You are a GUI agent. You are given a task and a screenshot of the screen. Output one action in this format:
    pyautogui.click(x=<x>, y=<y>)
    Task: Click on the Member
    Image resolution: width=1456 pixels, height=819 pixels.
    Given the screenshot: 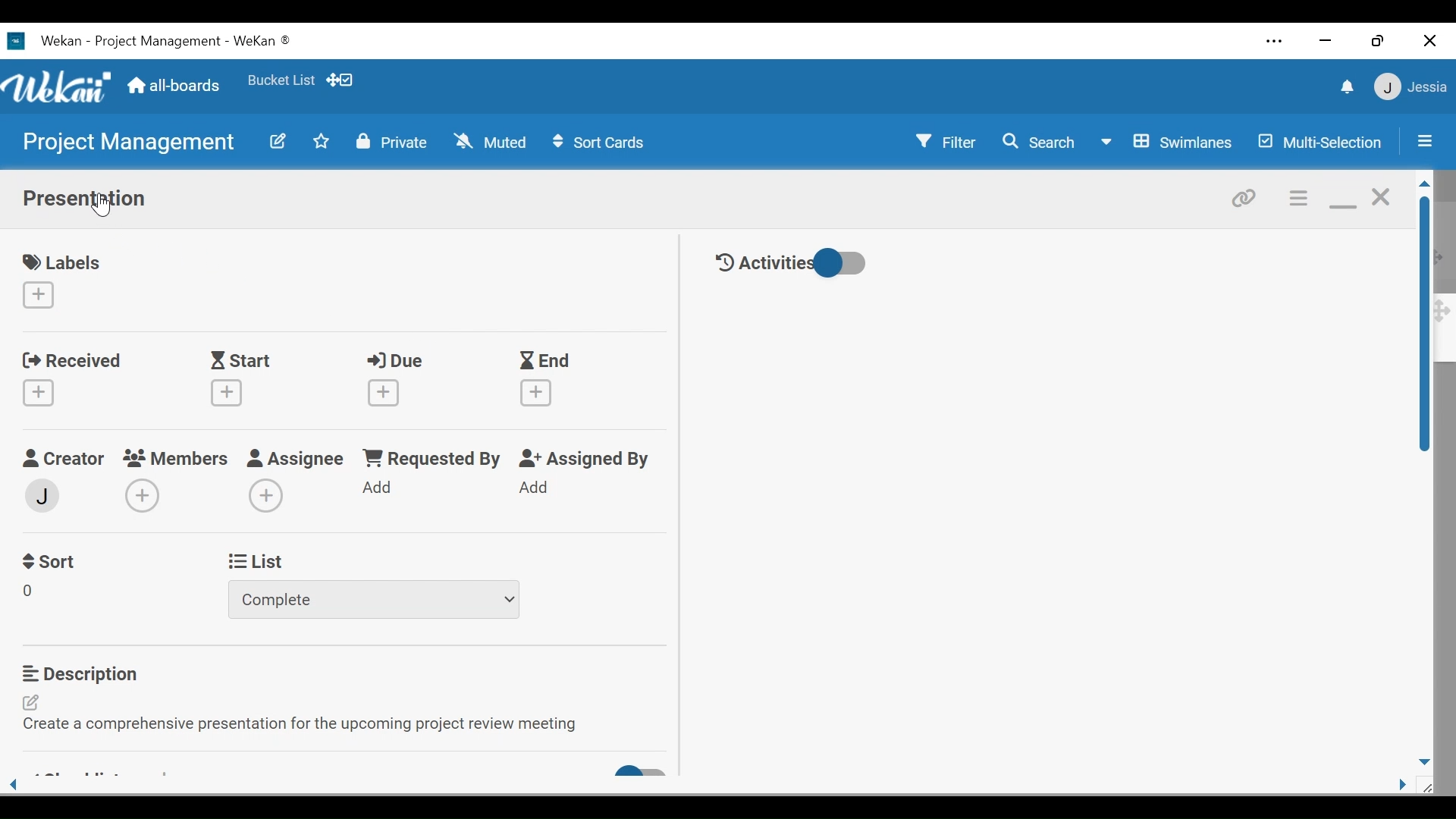 What is the action you would take?
    pyautogui.click(x=42, y=496)
    